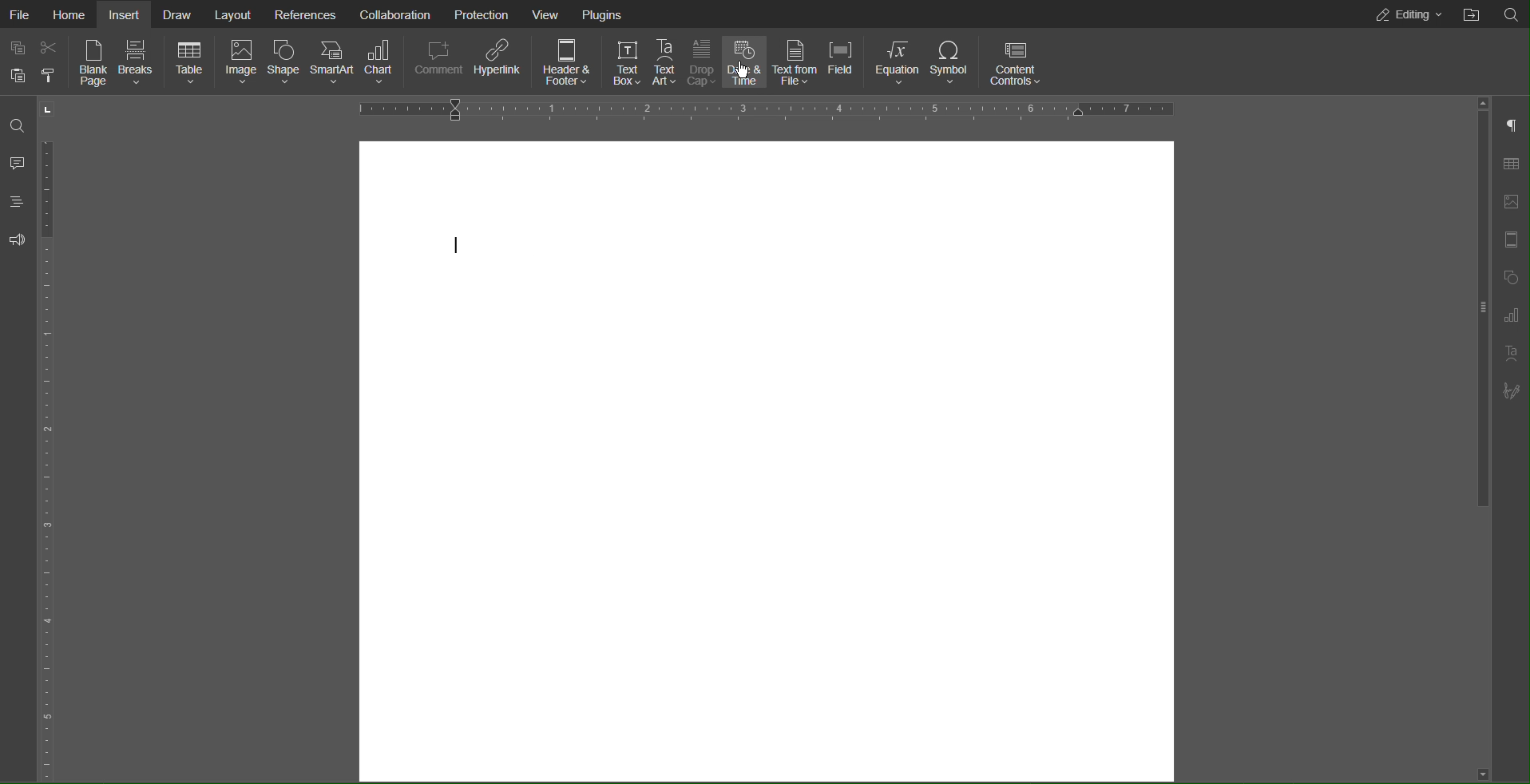 The width and height of the screenshot is (1530, 784). I want to click on Copy Formatting, so click(47, 77).